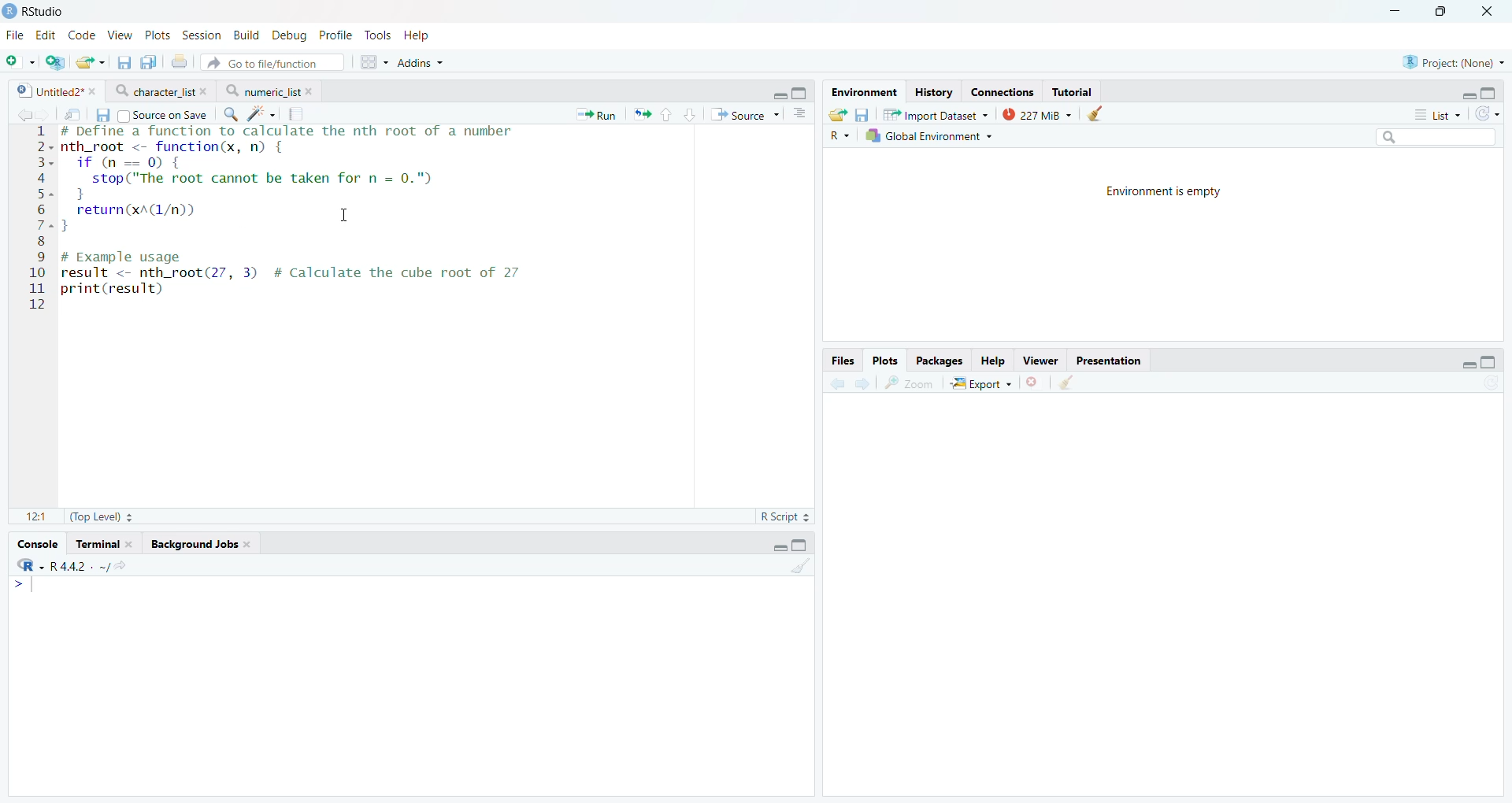  I want to click on Go to previous section, so click(667, 114).